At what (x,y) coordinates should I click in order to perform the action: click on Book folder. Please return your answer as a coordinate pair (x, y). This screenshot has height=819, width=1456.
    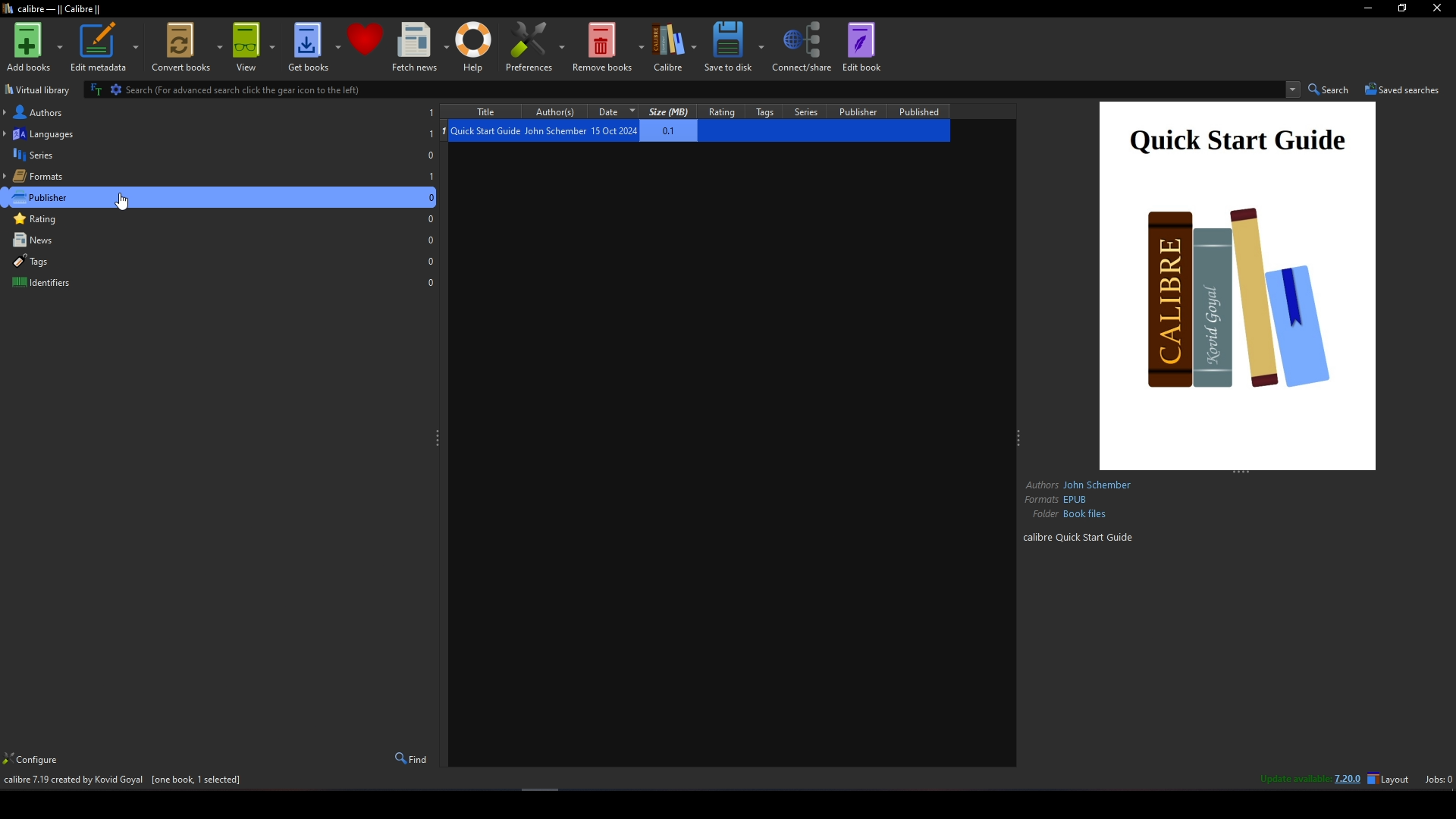
    Looking at the image, I should click on (1069, 515).